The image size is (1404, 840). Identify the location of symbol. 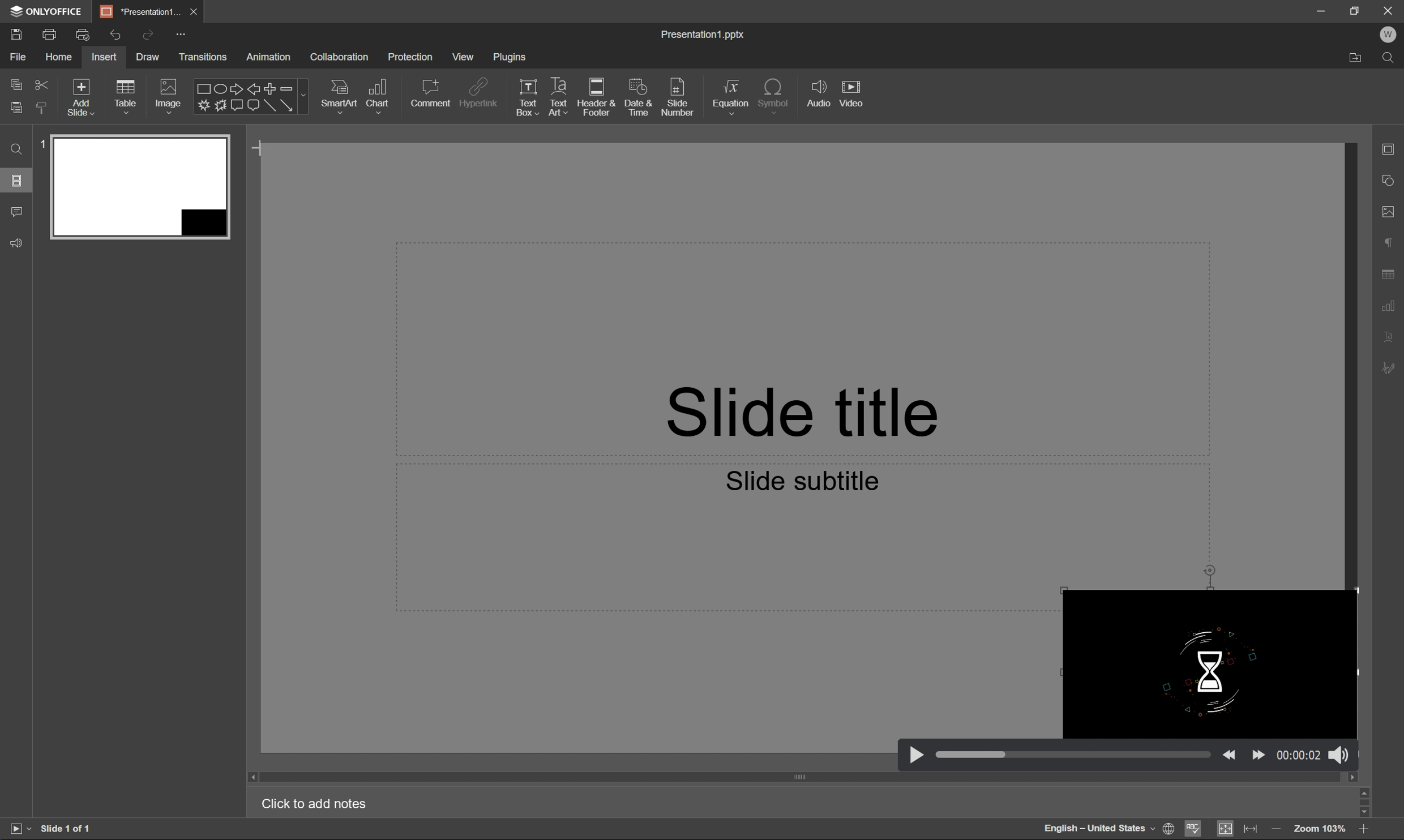
(776, 95).